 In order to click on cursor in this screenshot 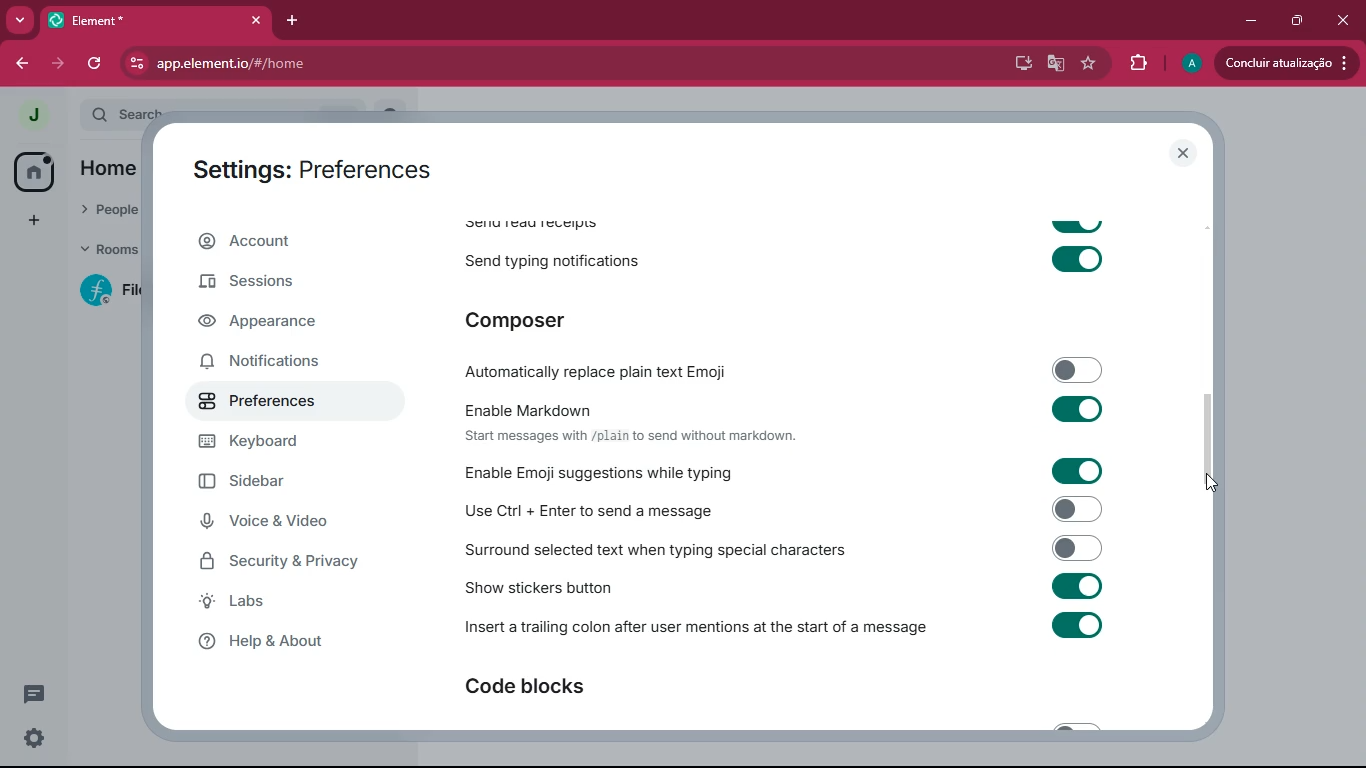, I will do `click(1213, 483)`.